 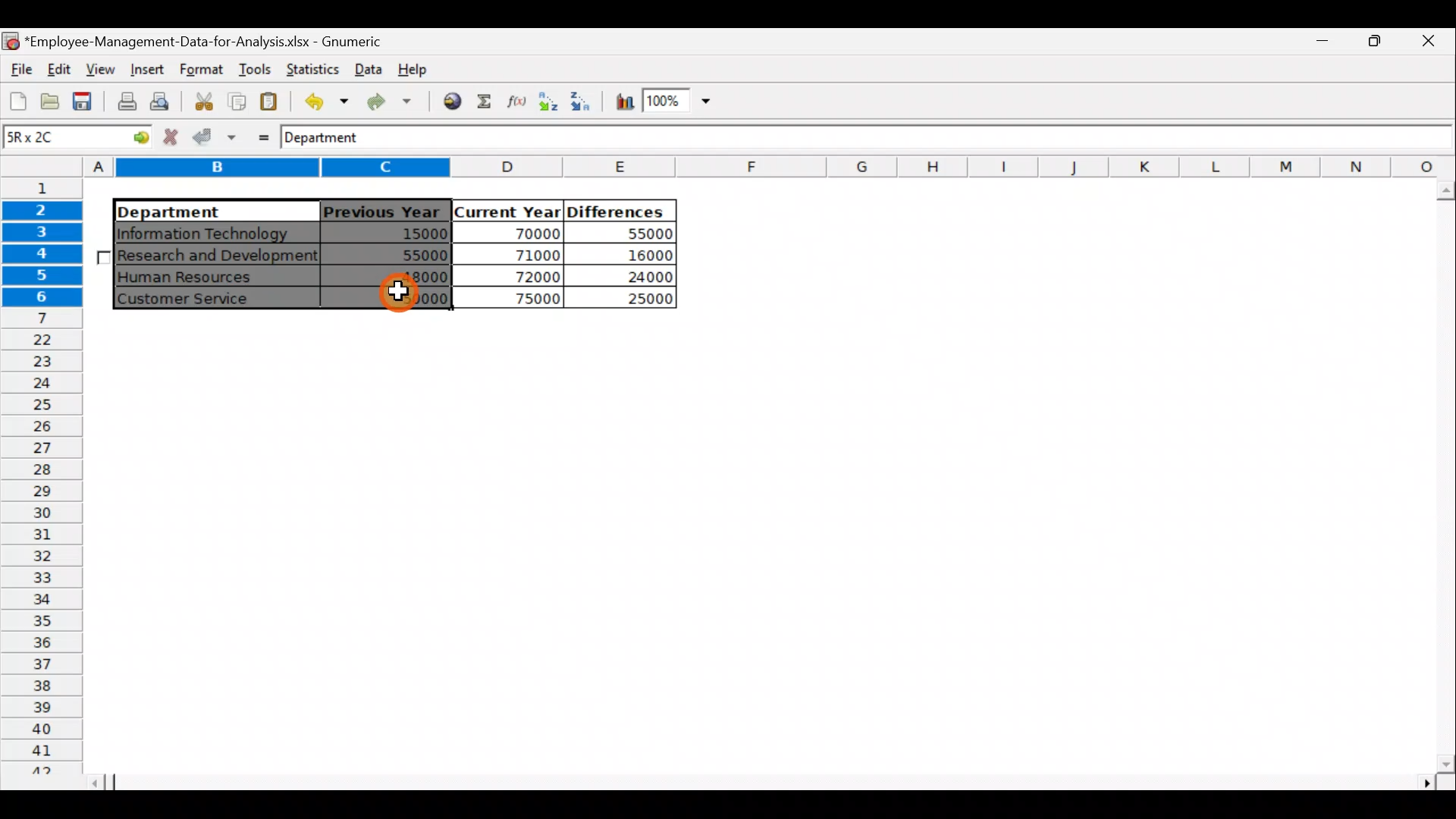 What do you see at coordinates (525, 276) in the screenshot?
I see `72000` at bounding box center [525, 276].